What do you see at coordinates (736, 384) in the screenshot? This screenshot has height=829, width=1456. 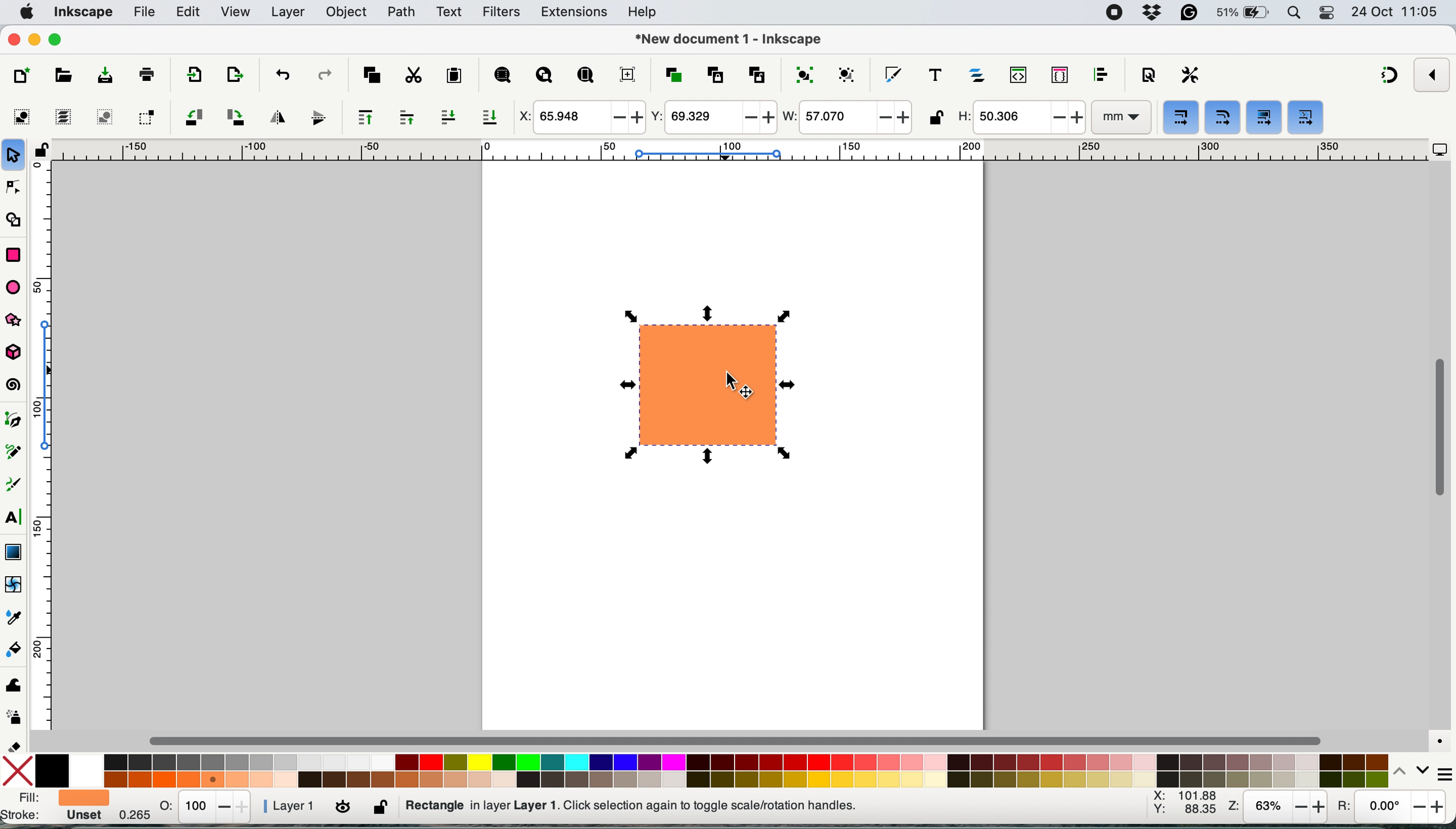 I see `cursor` at bounding box center [736, 384].